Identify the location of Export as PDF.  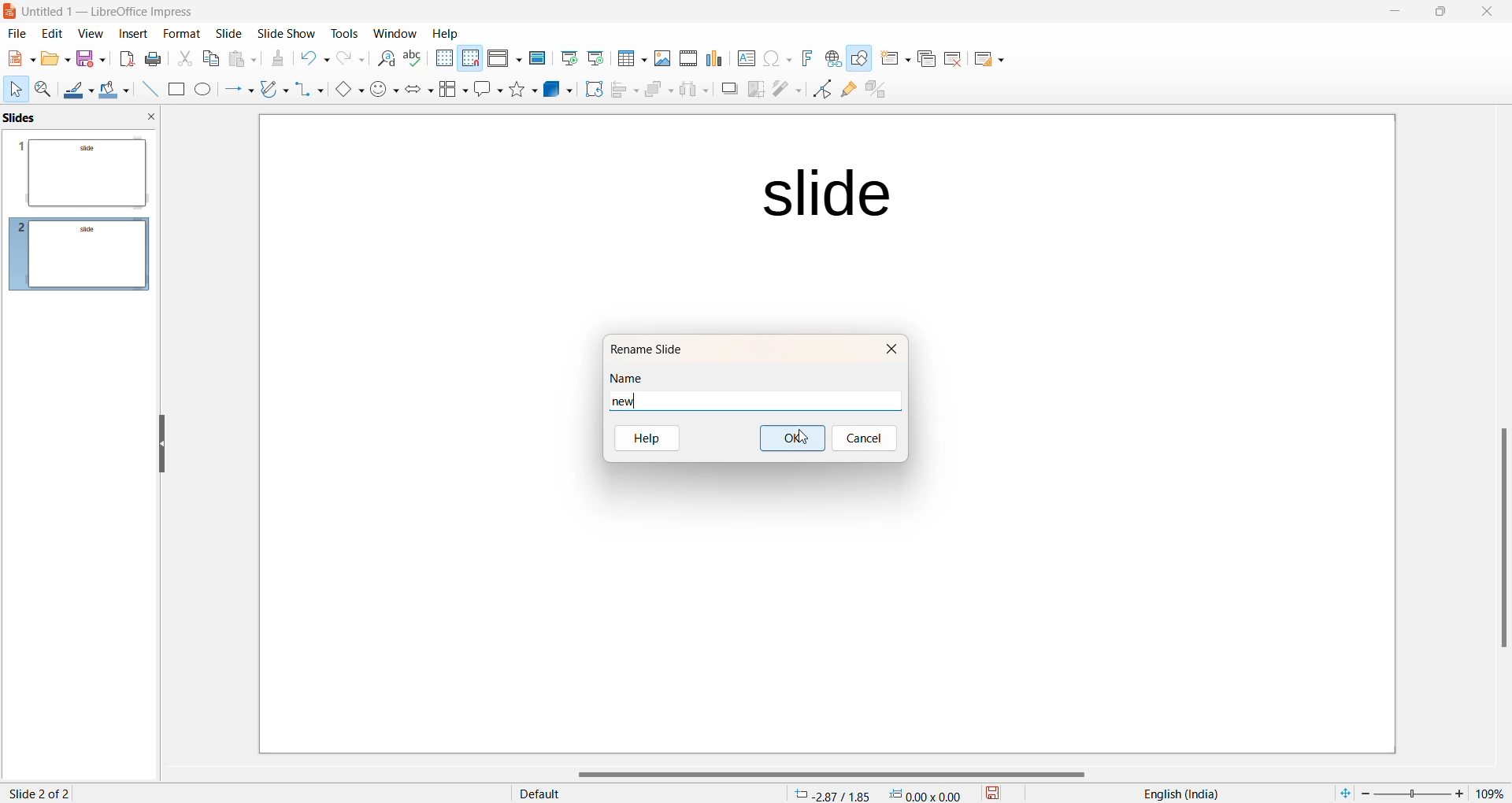
(124, 59).